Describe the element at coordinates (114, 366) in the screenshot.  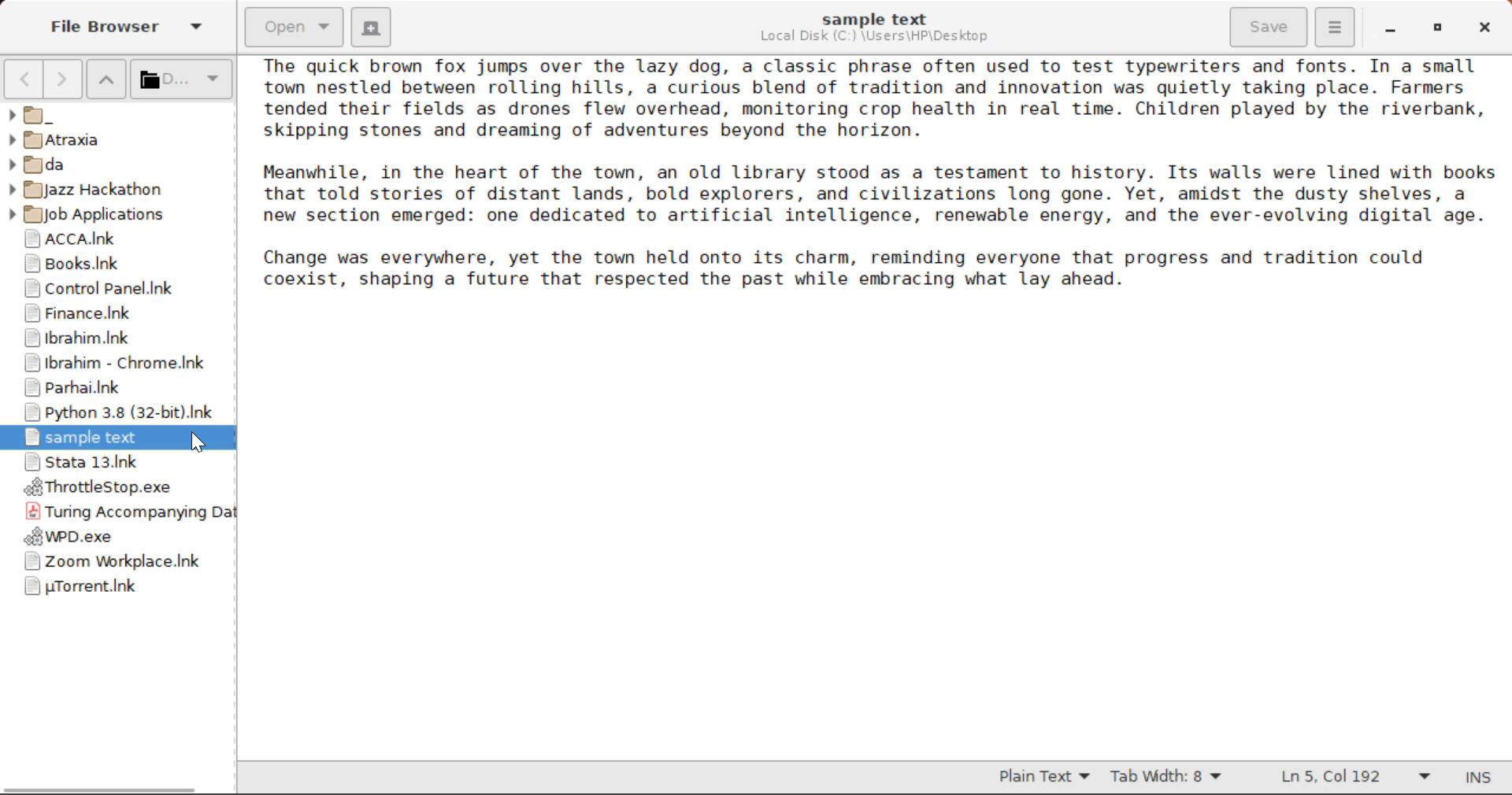
I see `Ibrahim - Chrome Shortcut Link` at that location.